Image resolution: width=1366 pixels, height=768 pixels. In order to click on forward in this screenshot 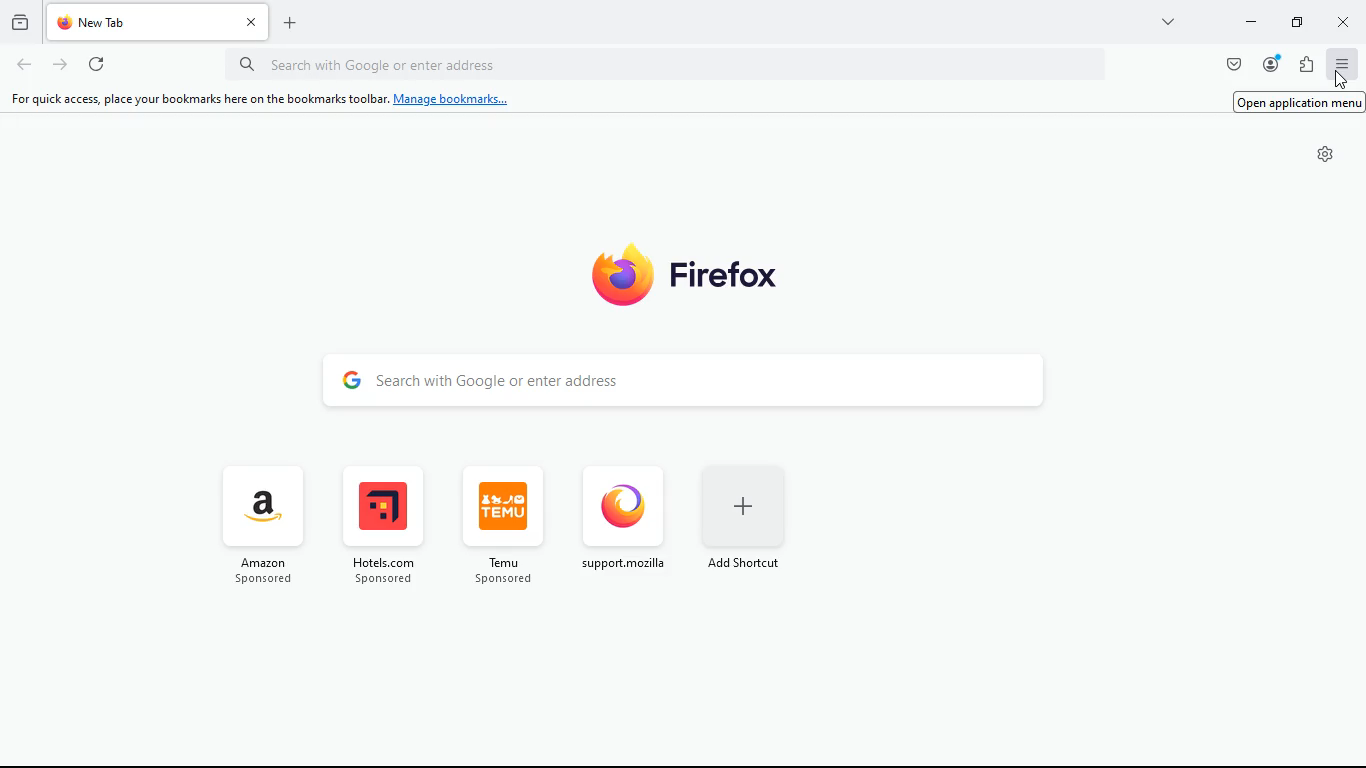, I will do `click(58, 66)`.